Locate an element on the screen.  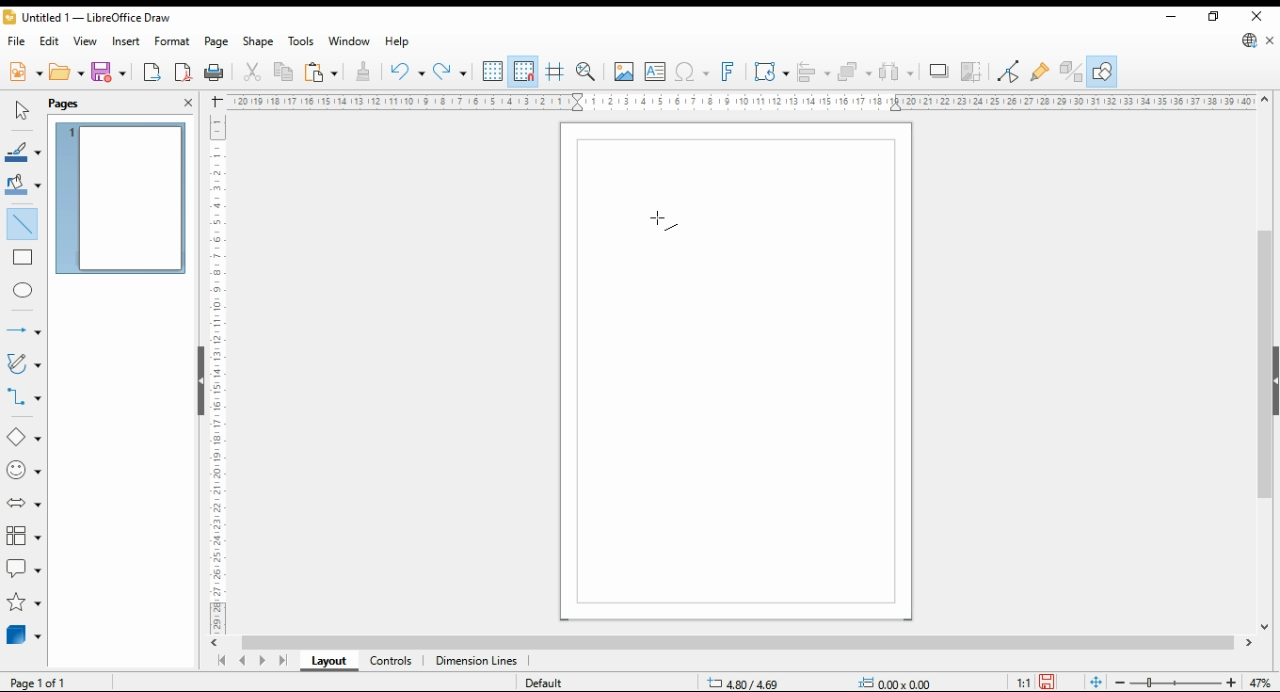
insert image is located at coordinates (623, 71).